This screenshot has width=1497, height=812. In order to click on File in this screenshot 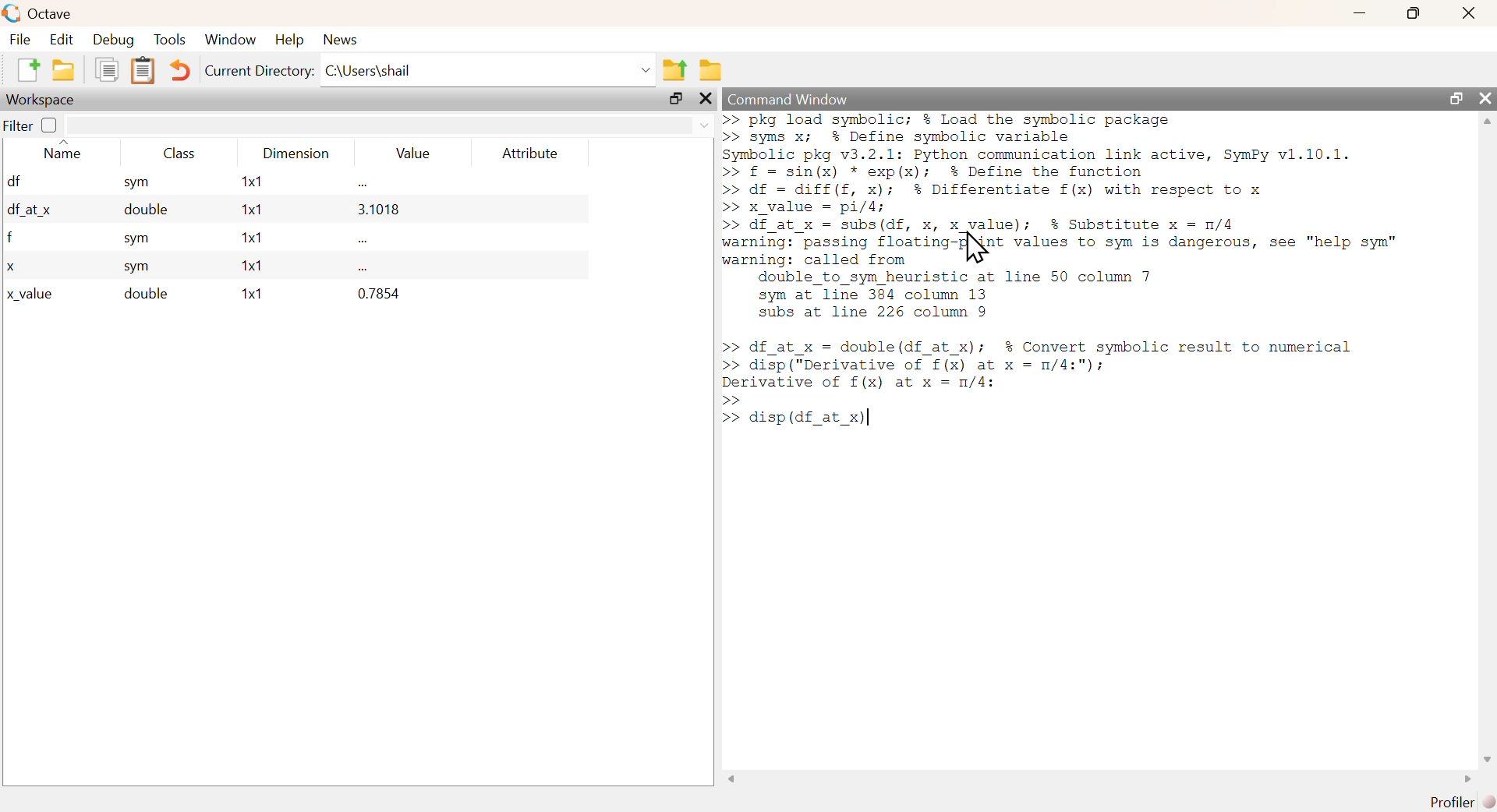, I will do `click(19, 39)`.